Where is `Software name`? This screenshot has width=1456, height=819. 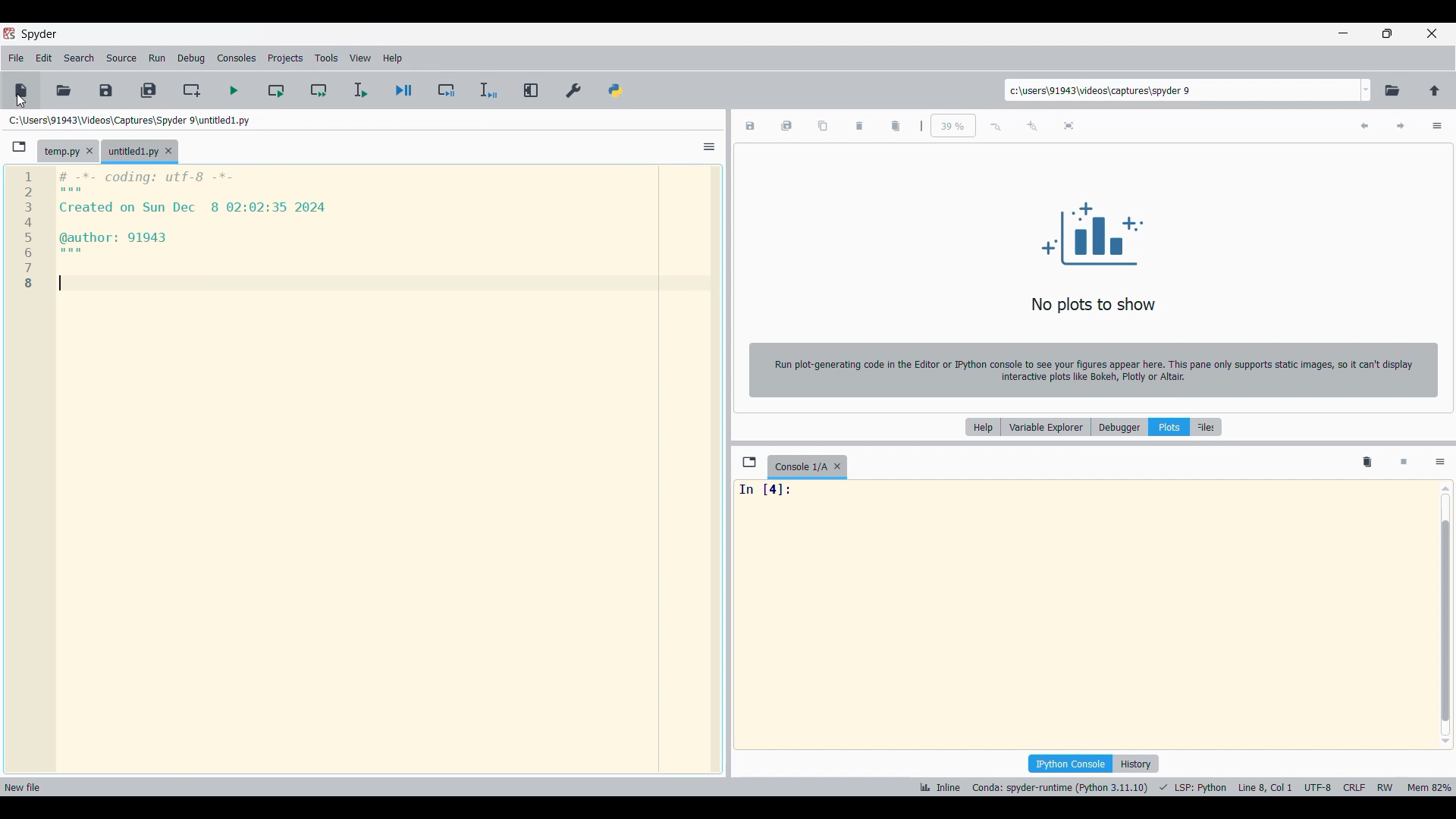 Software name is located at coordinates (39, 35).